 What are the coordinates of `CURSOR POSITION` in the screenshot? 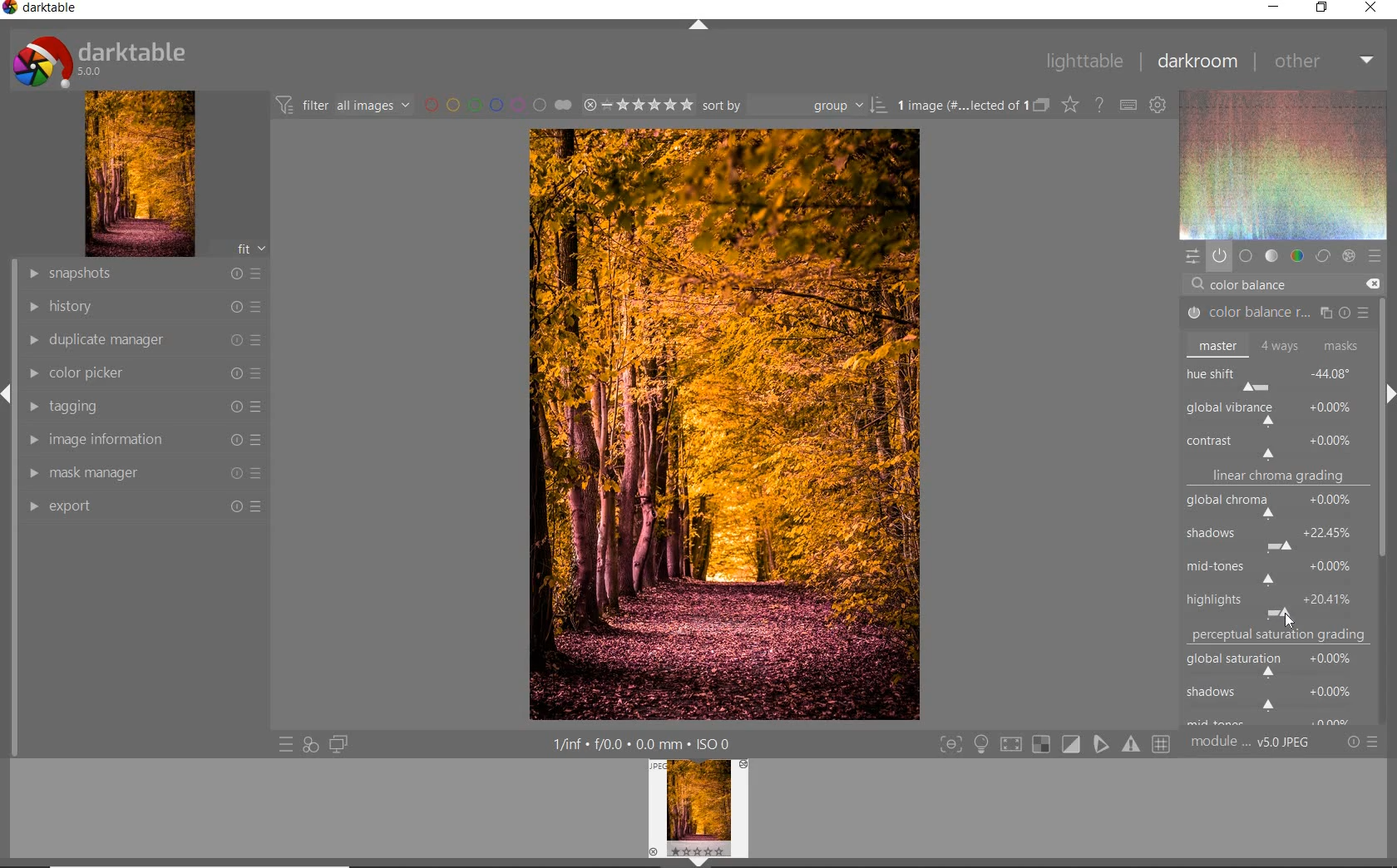 It's located at (1288, 619).